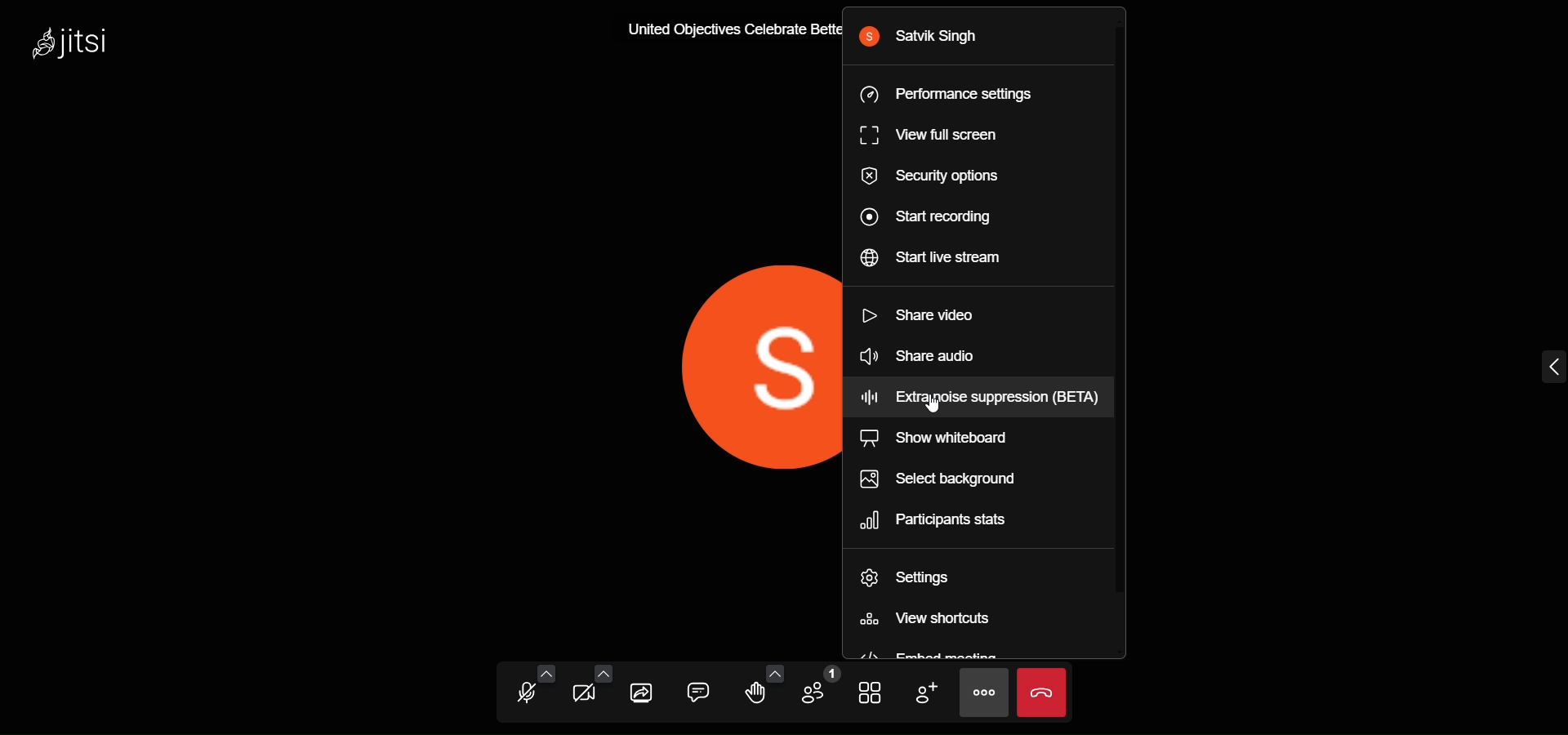 The width and height of the screenshot is (1568, 735). I want to click on microphone, so click(525, 694).